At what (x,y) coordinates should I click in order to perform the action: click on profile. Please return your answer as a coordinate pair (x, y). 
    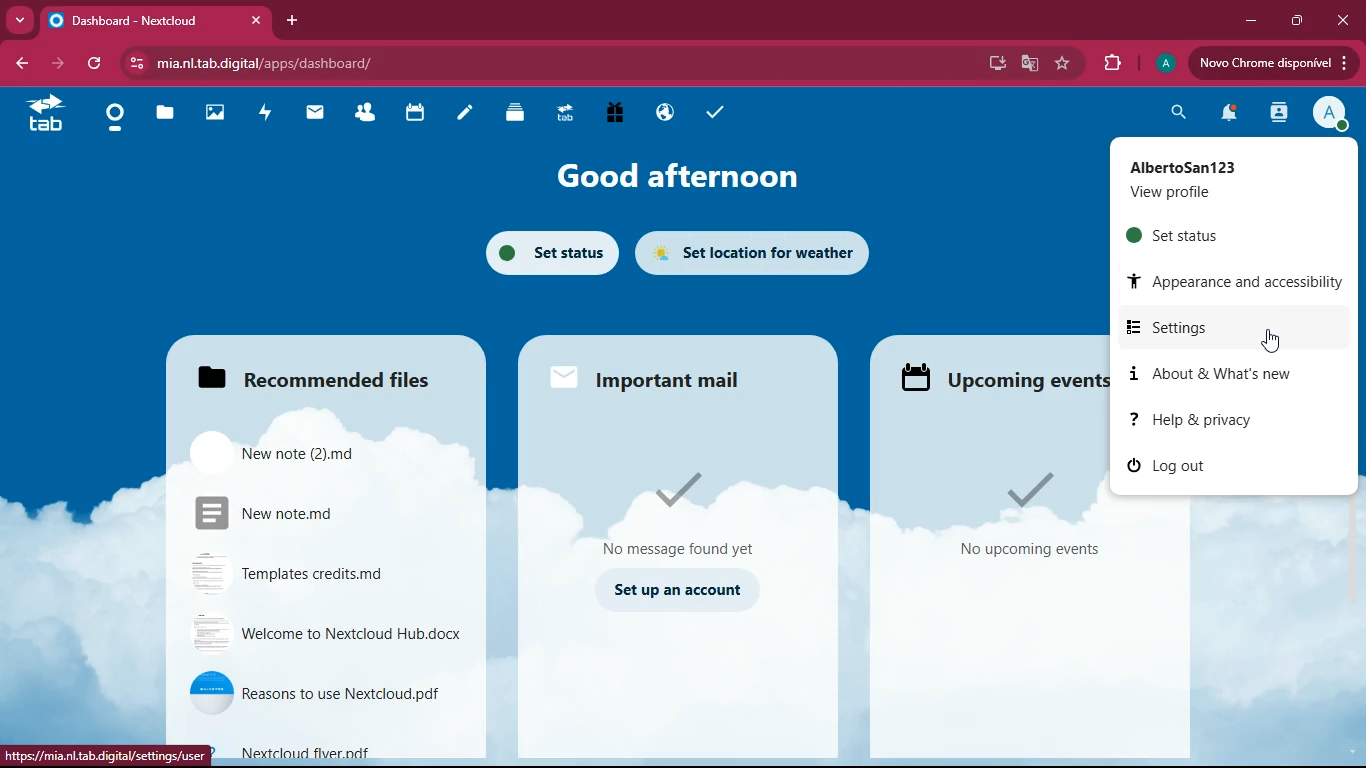
    Looking at the image, I should click on (1164, 64).